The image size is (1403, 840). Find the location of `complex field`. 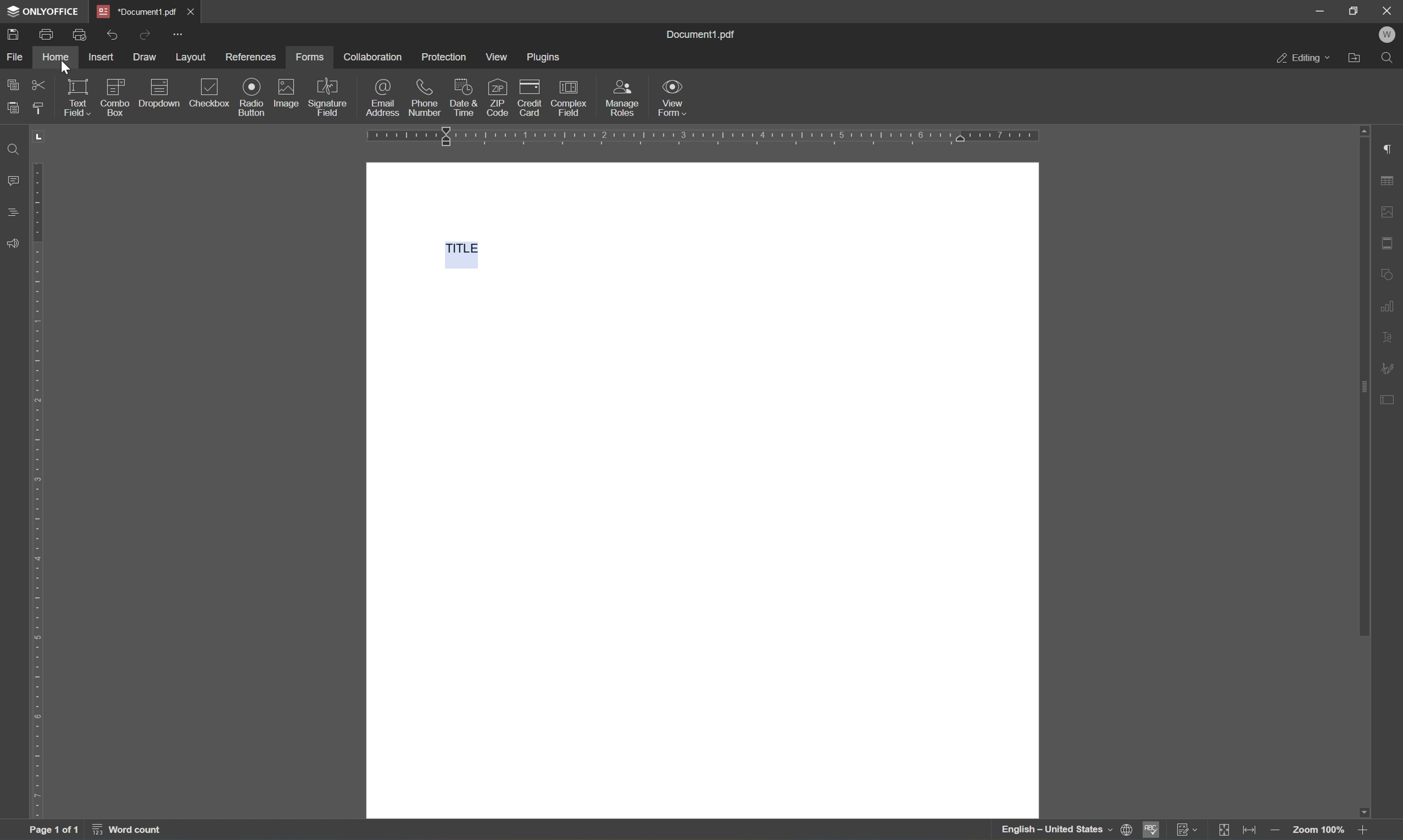

complex field is located at coordinates (570, 97).